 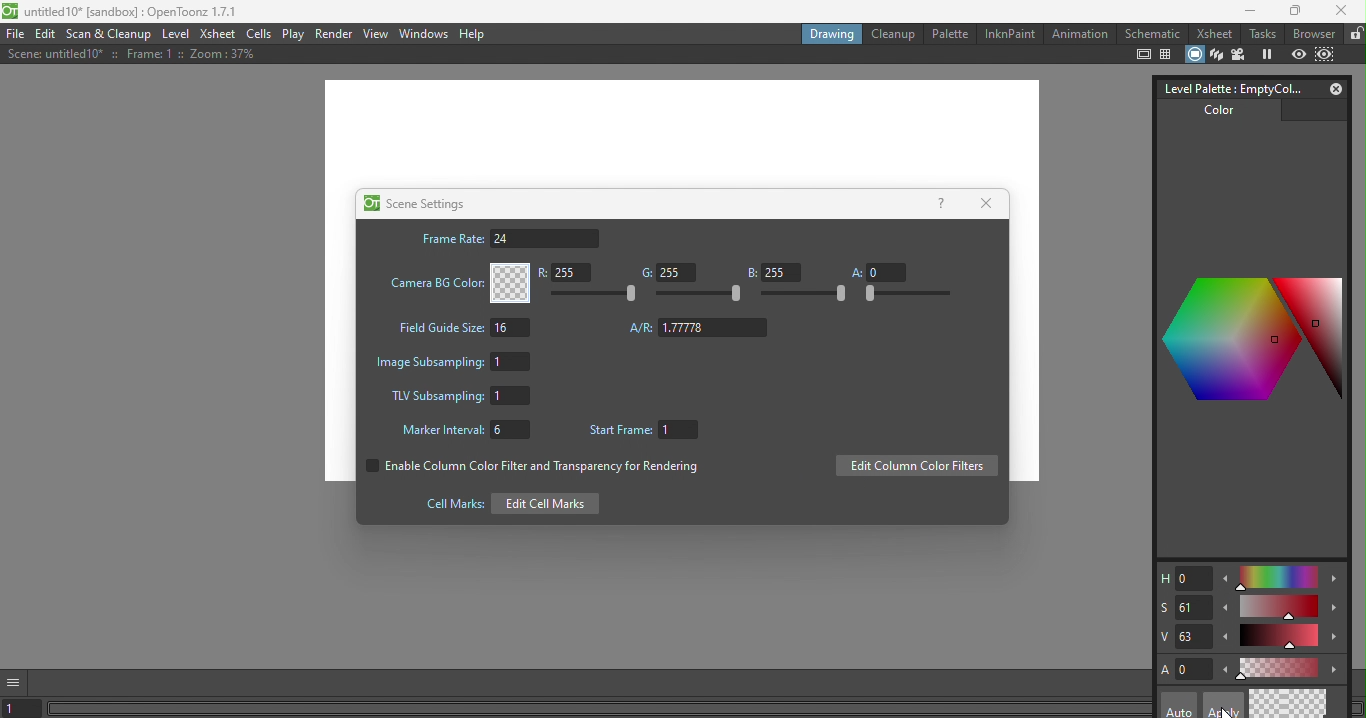 What do you see at coordinates (940, 202) in the screenshot?
I see `Help` at bounding box center [940, 202].